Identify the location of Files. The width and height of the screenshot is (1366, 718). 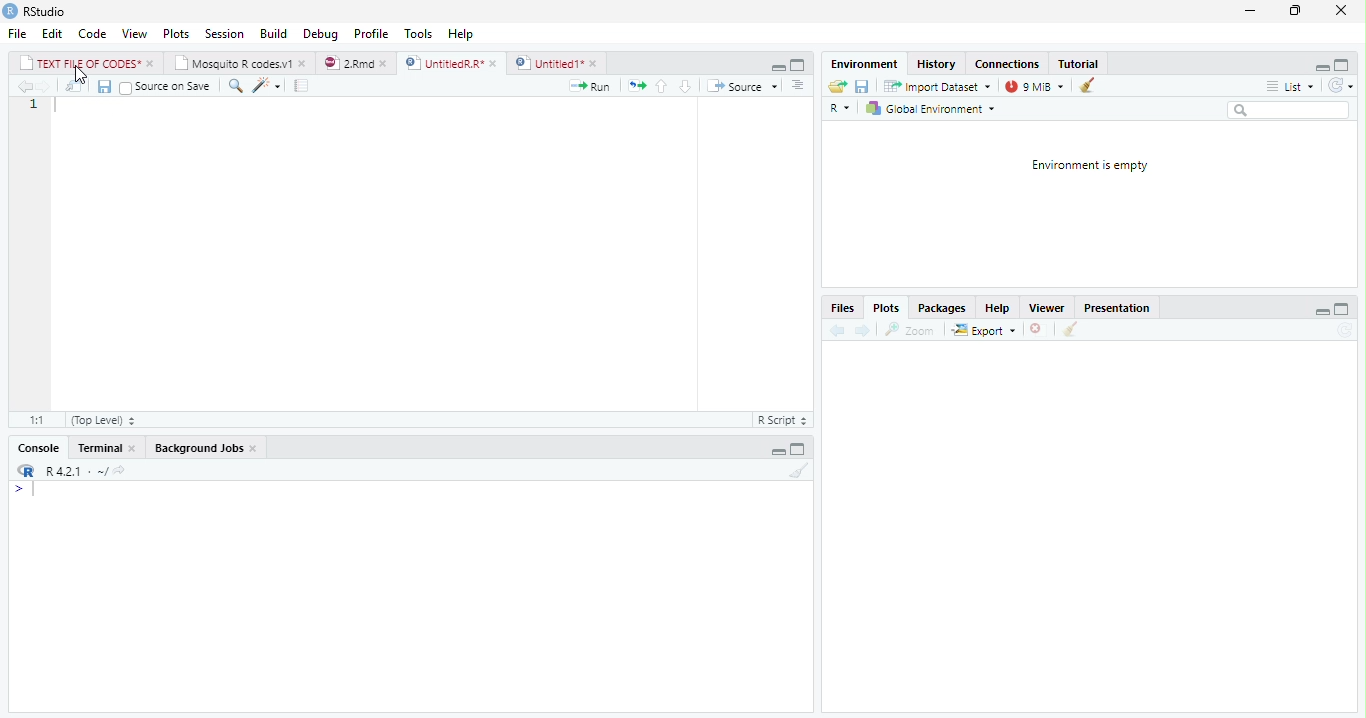
(842, 307).